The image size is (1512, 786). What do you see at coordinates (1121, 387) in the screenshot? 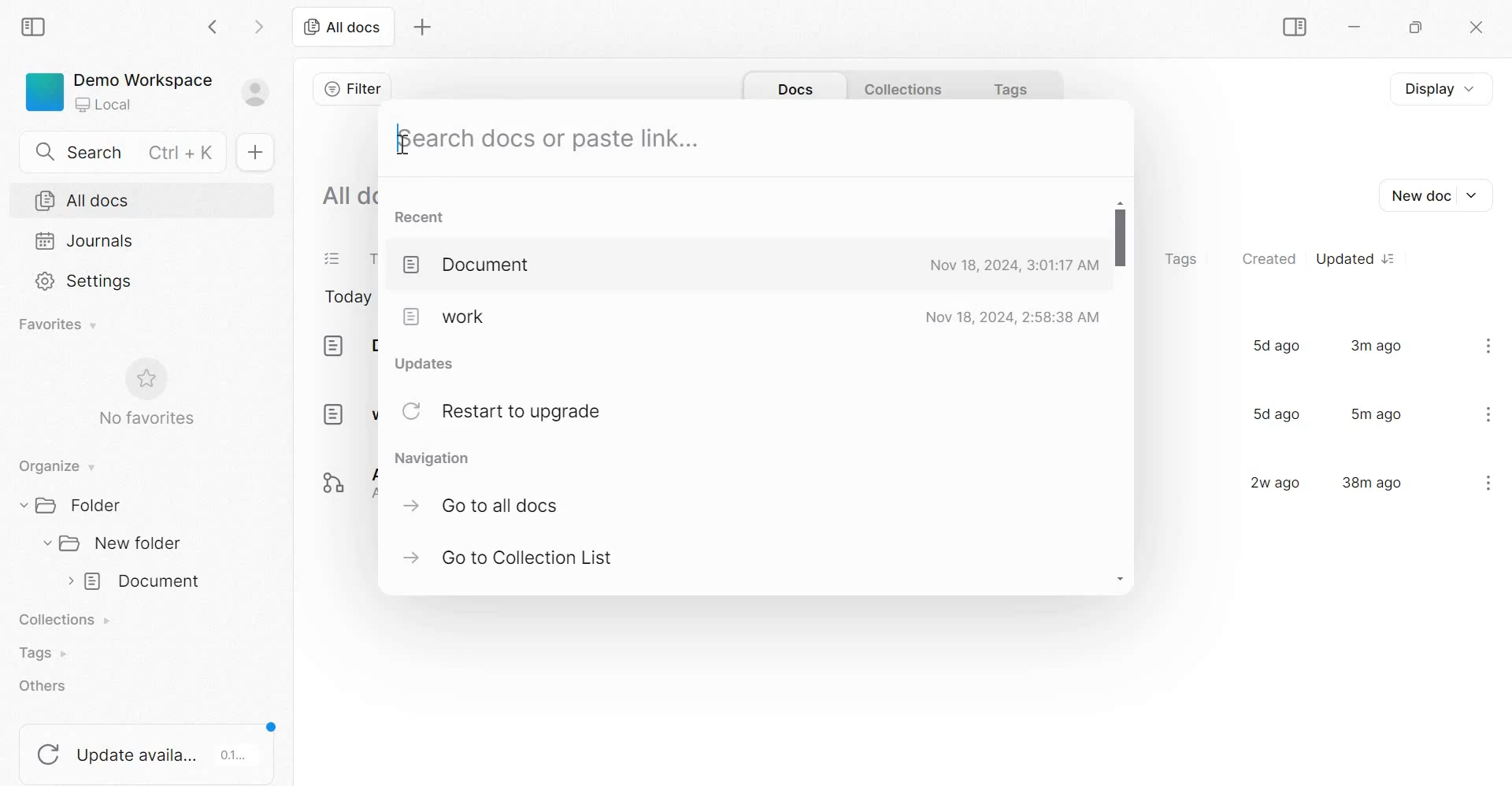
I see `scroll bar` at bounding box center [1121, 387].